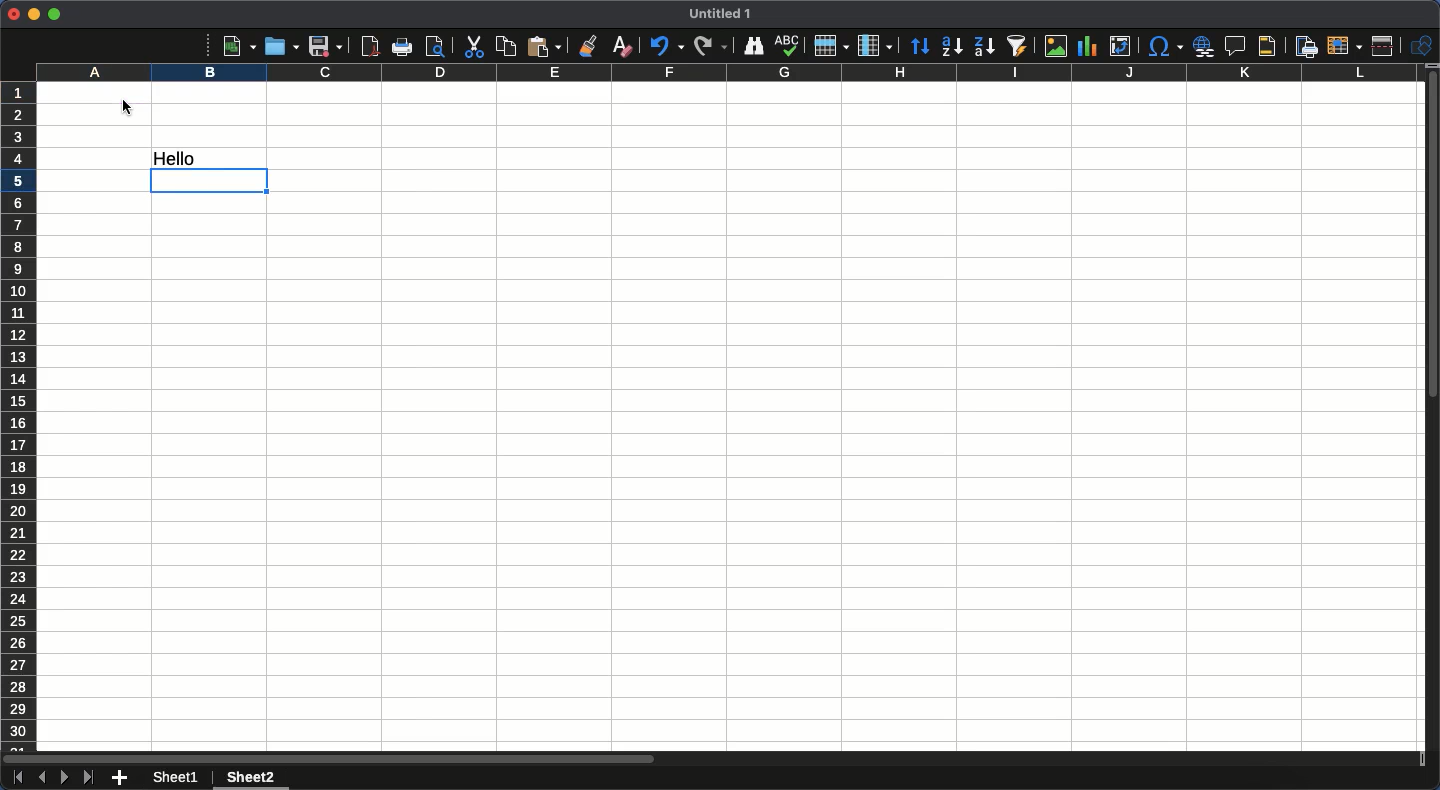  I want to click on Add new sheet, so click(120, 779).